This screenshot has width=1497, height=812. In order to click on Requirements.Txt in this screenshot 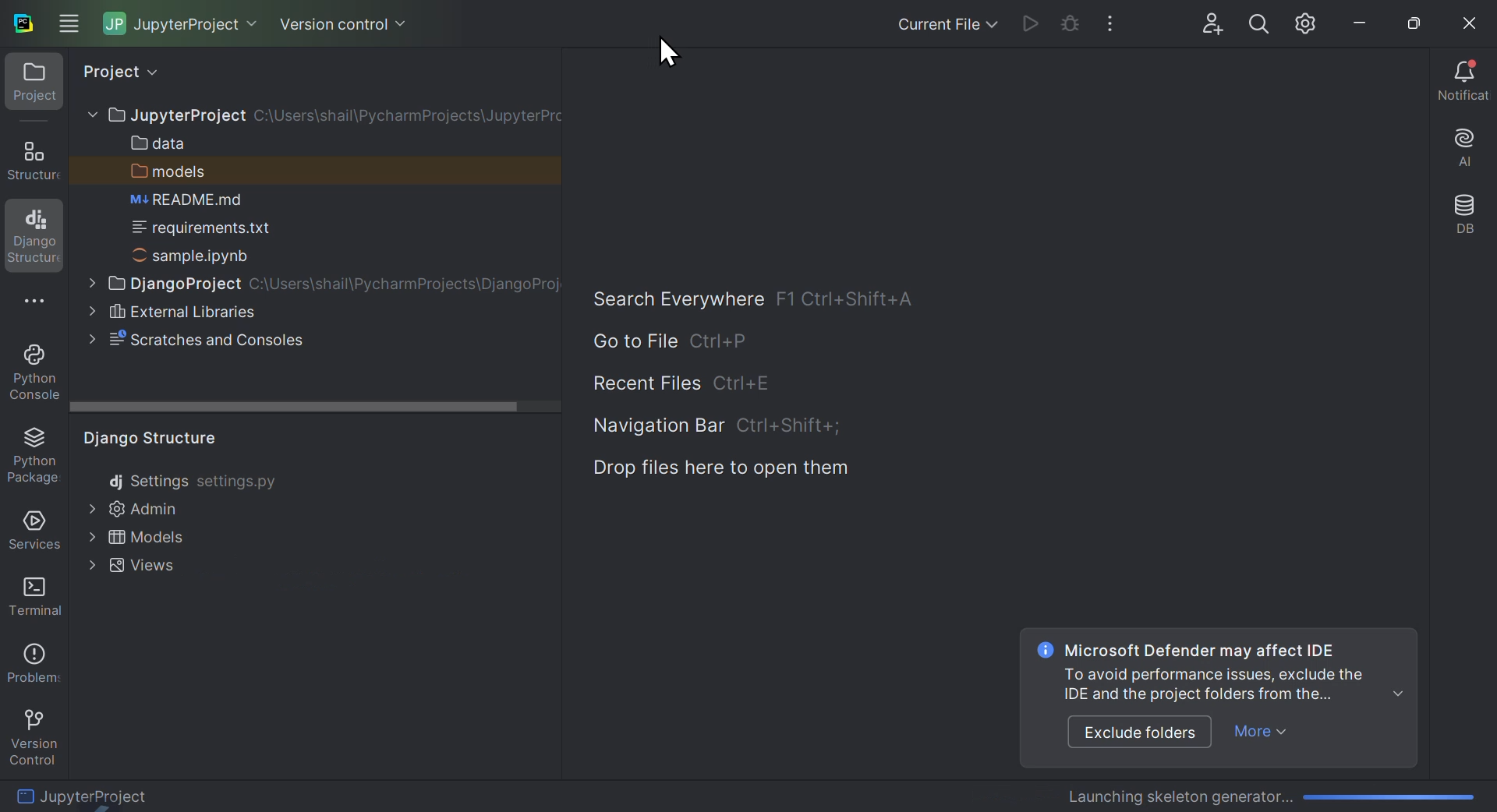, I will do `click(218, 226)`.